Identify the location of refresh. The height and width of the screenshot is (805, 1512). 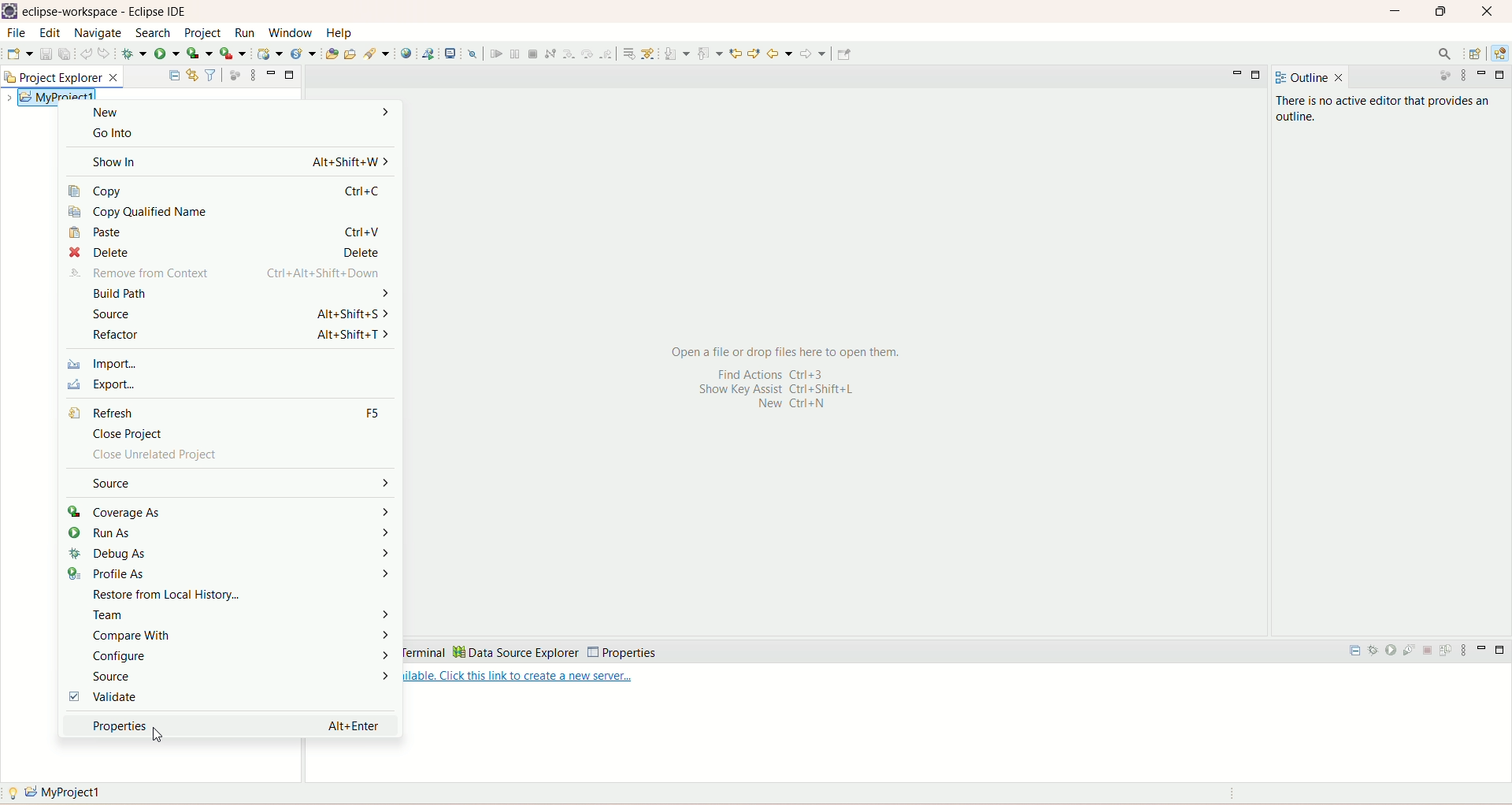
(229, 412).